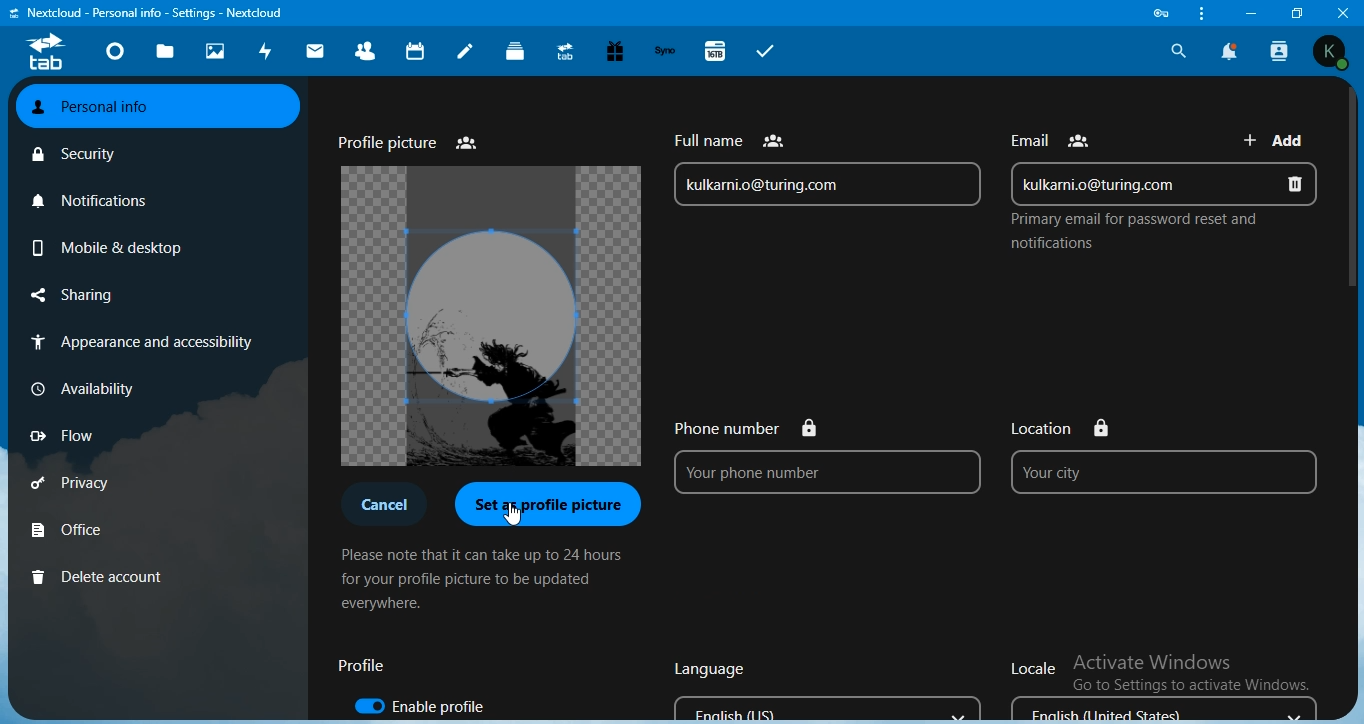 This screenshot has width=1364, height=724. I want to click on synology, so click(668, 51).